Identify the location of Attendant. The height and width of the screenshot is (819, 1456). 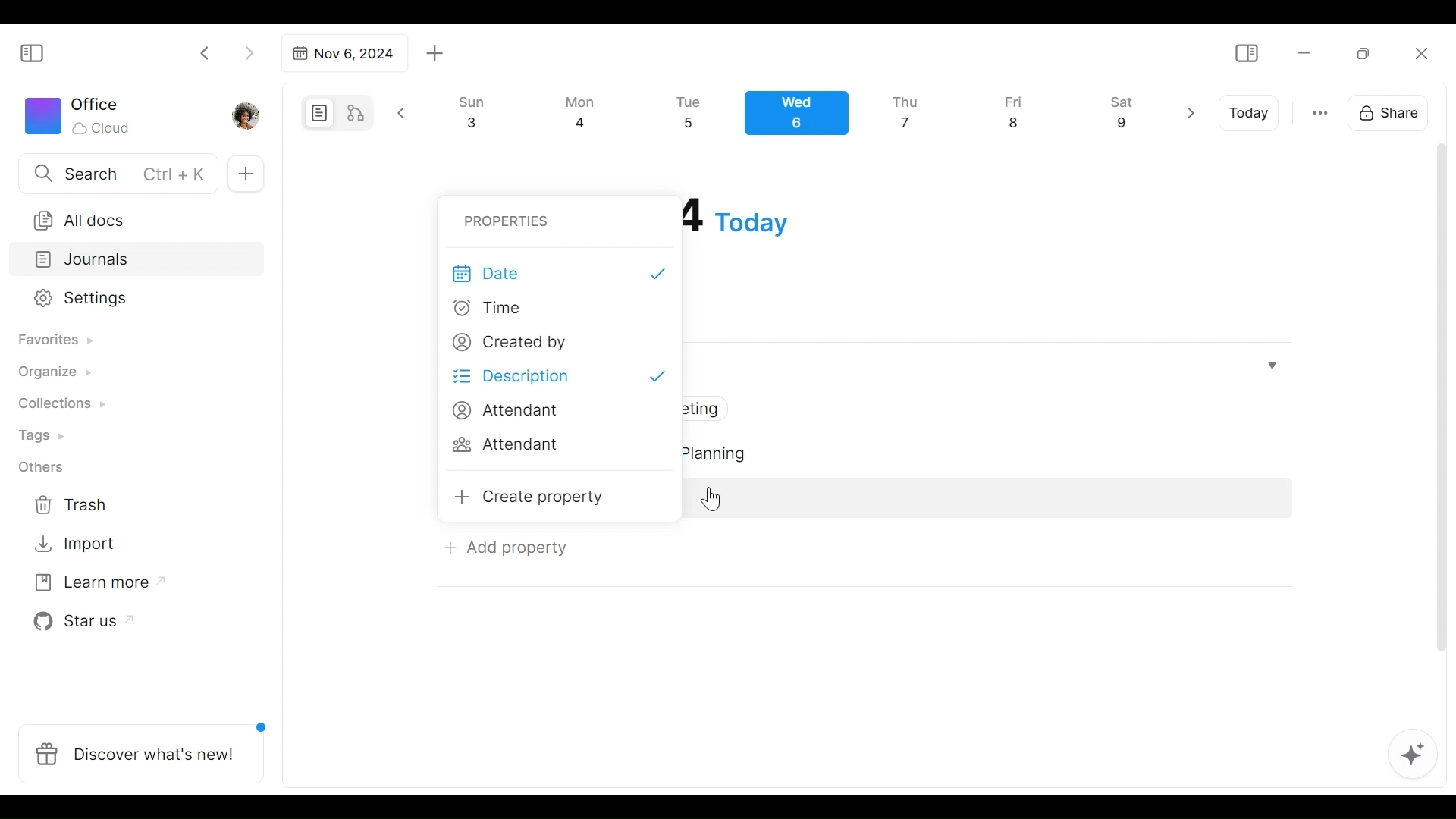
(509, 412).